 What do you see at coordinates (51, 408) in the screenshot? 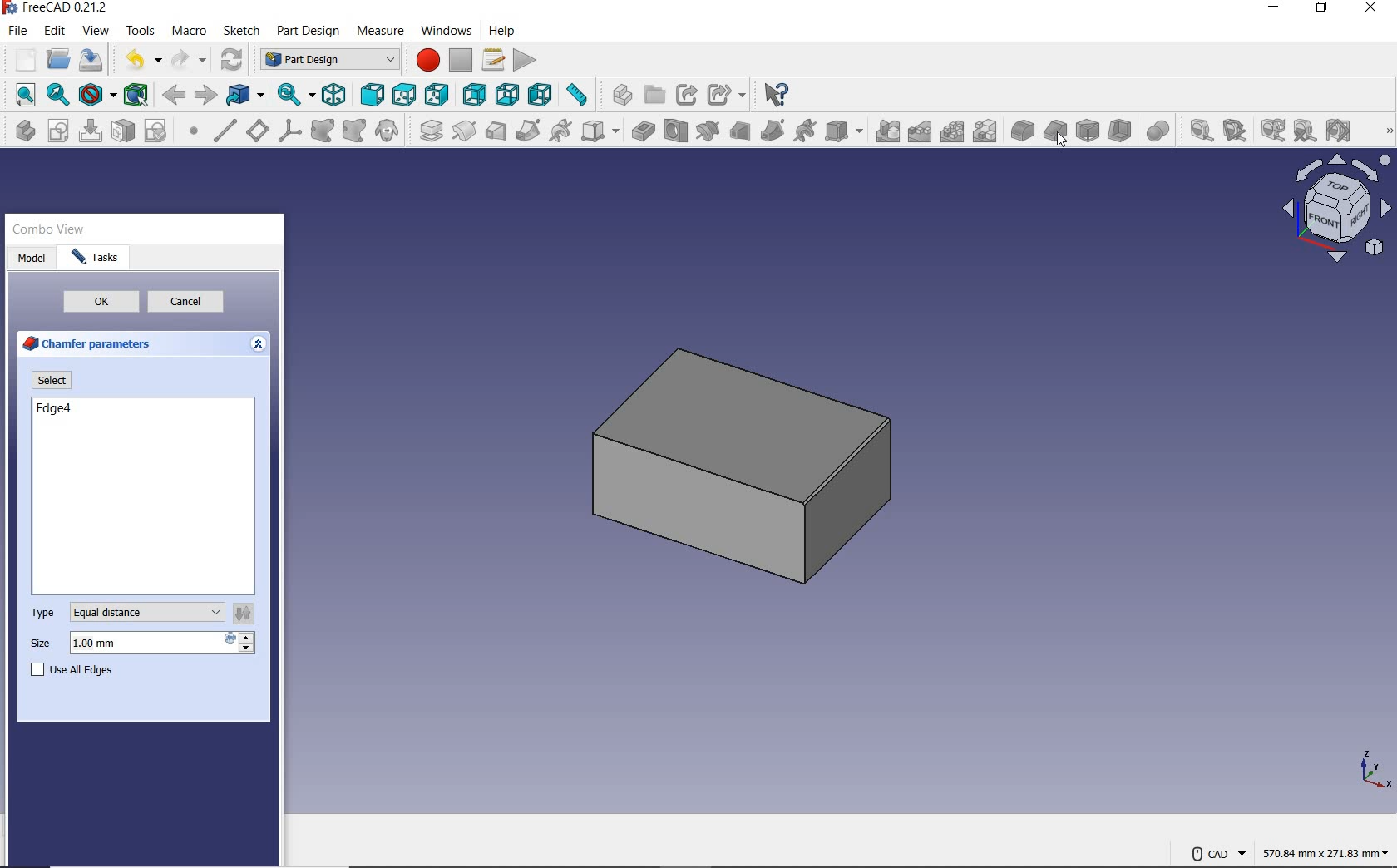
I see `edge` at bounding box center [51, 408].